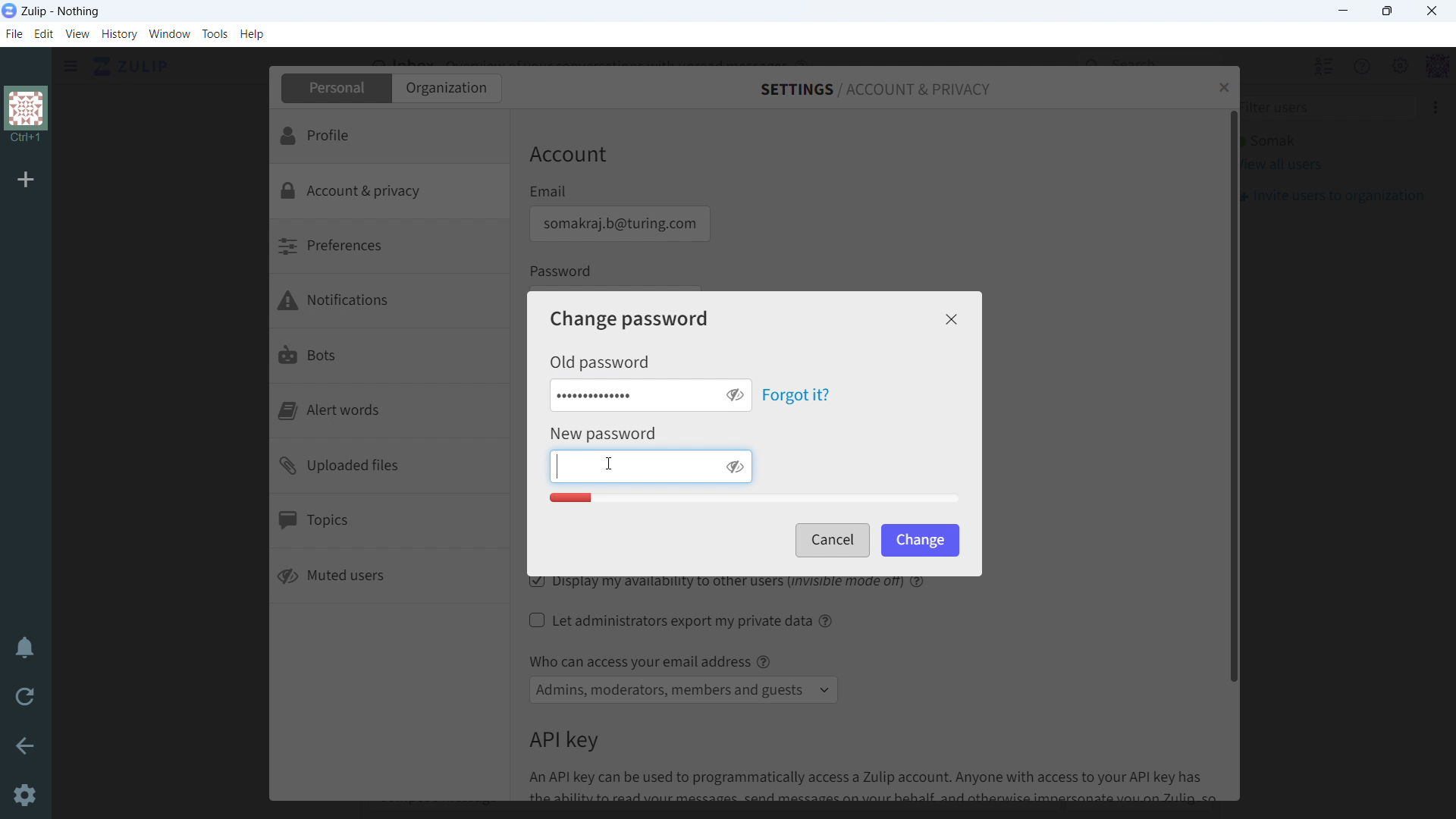 The height and width of the screenshot is (819, 1456). What do you see at coordinates (796, 395) in the screenshot?
I see `forgot it?` at bounding box center [796, 395].